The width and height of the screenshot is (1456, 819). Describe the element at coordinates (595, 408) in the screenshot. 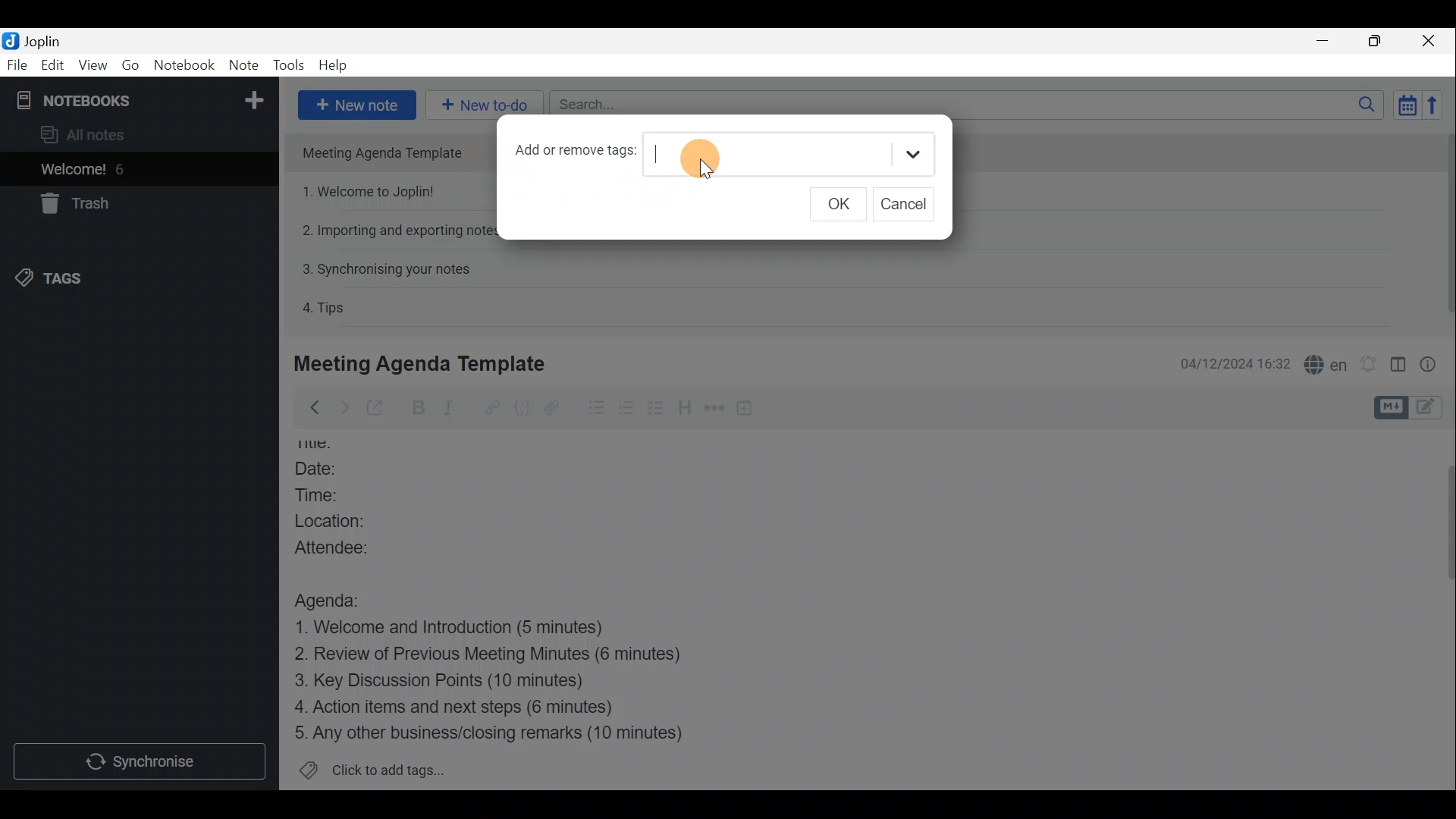

I see `Bulleted list` at that location.